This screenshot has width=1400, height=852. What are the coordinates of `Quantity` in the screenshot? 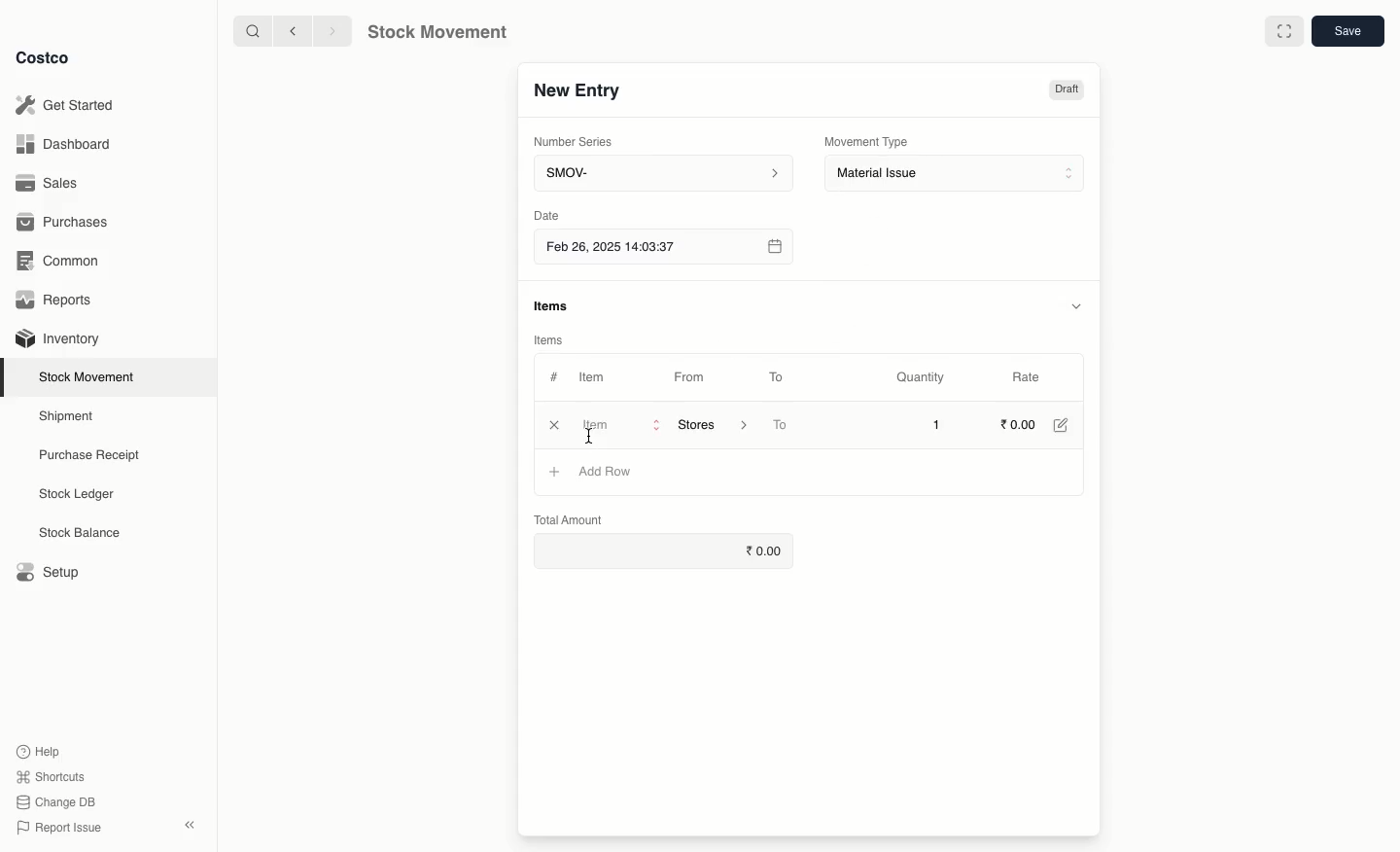 It's located at (924, 378).